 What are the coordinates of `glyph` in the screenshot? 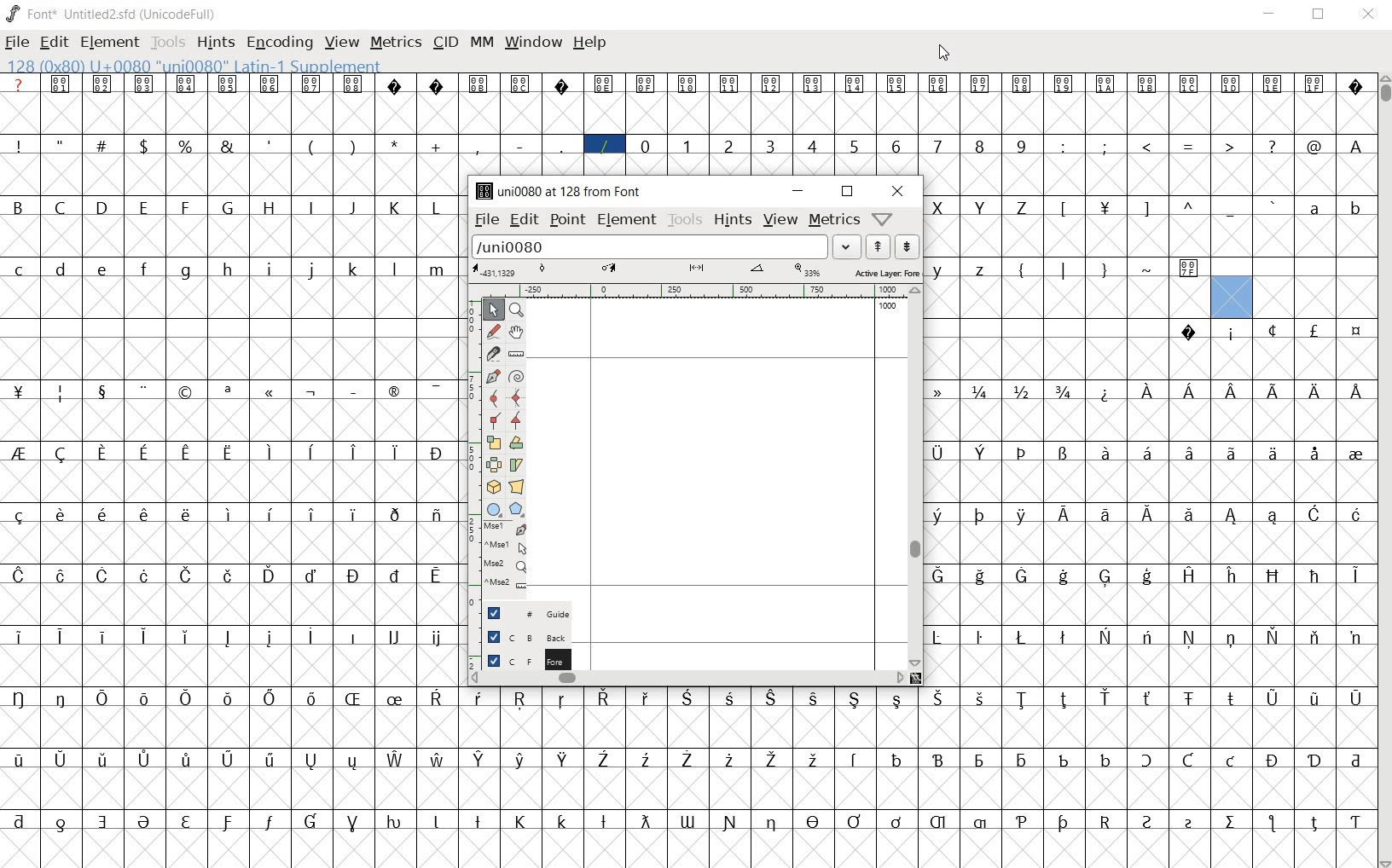 It's located at (20, 637).